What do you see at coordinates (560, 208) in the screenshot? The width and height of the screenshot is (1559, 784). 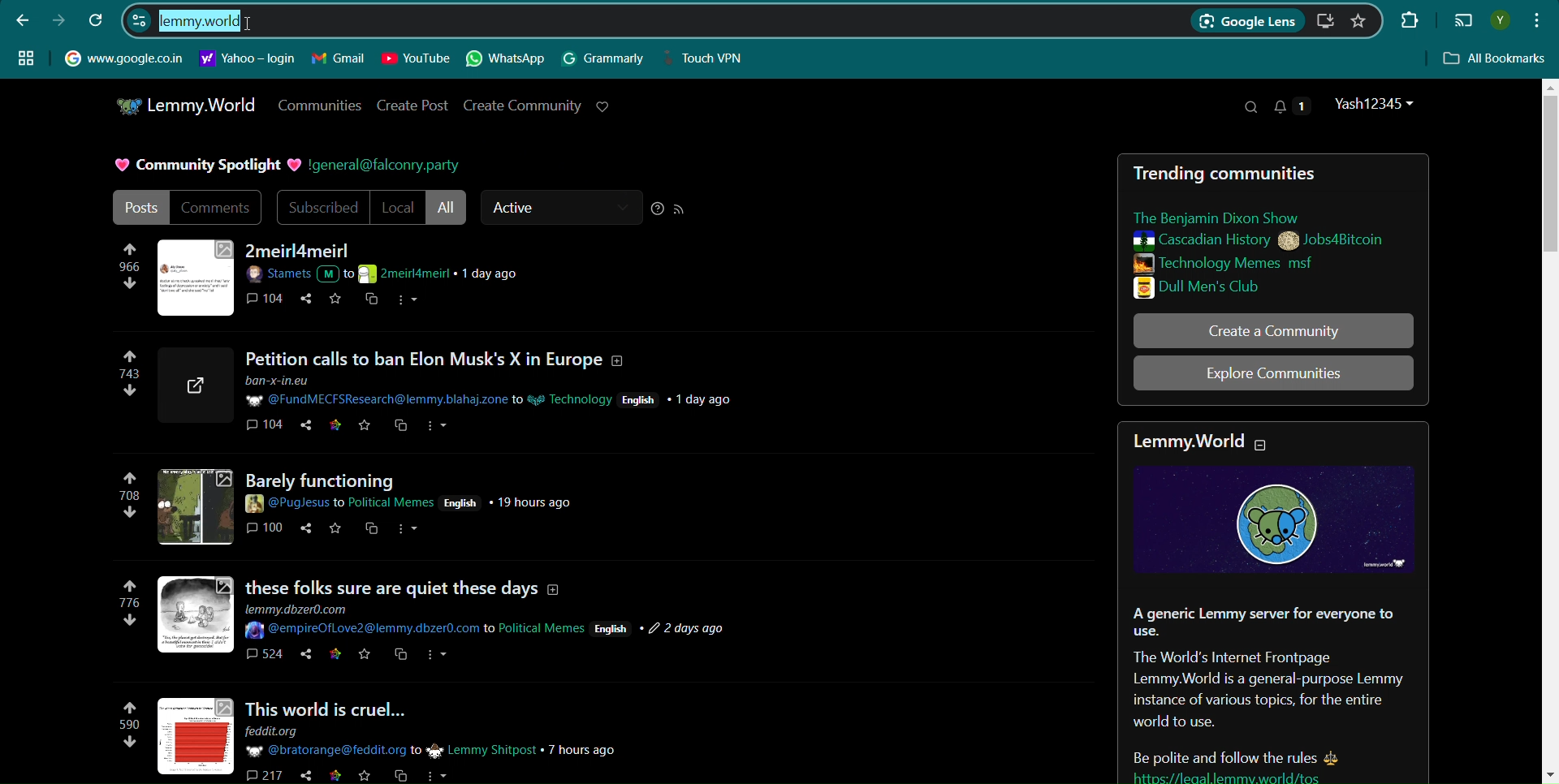 I see `Active` at bounding box center [560, 208].